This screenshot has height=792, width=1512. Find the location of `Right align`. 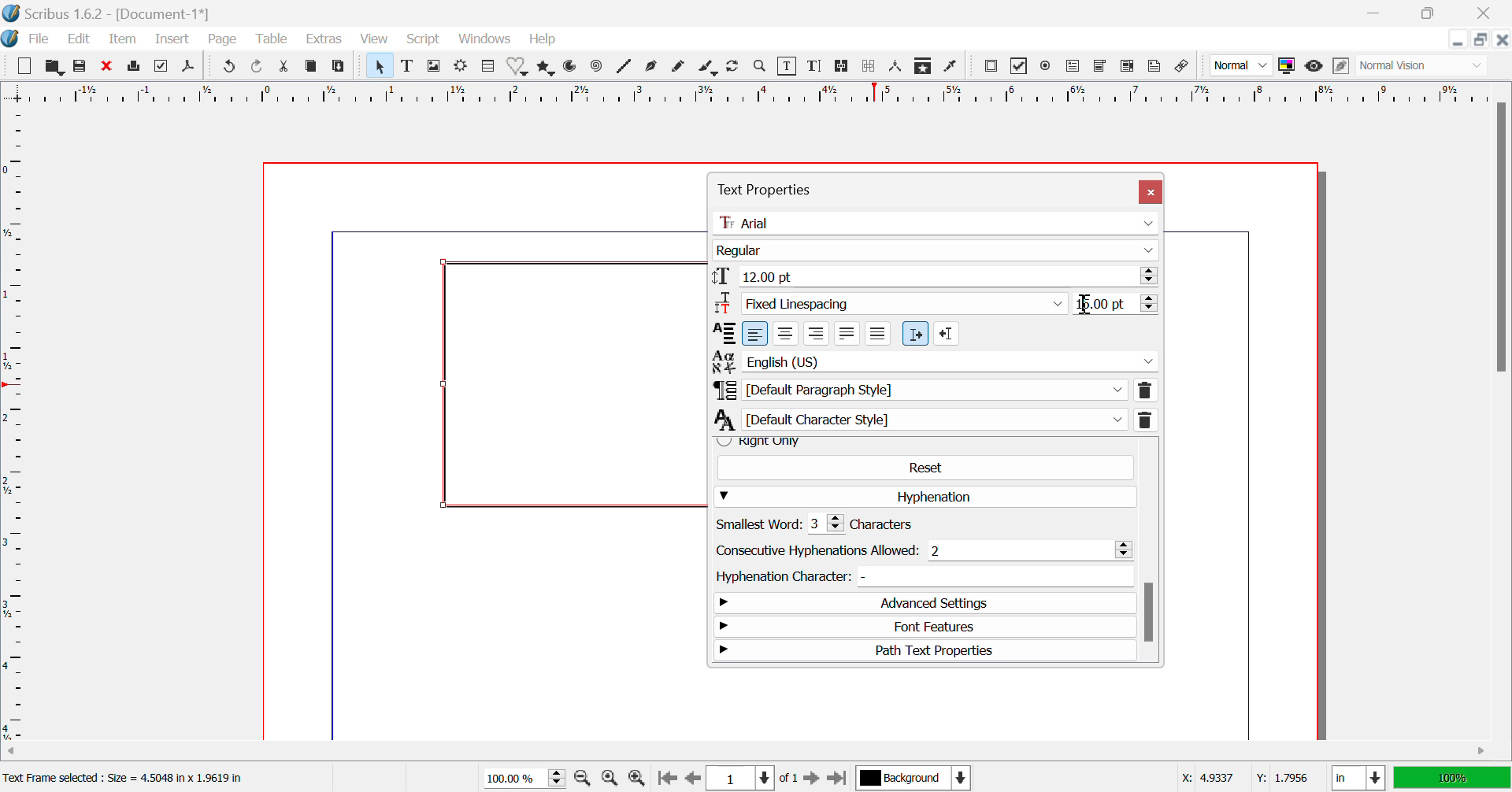

Right align is located at coordinates (816, 333).